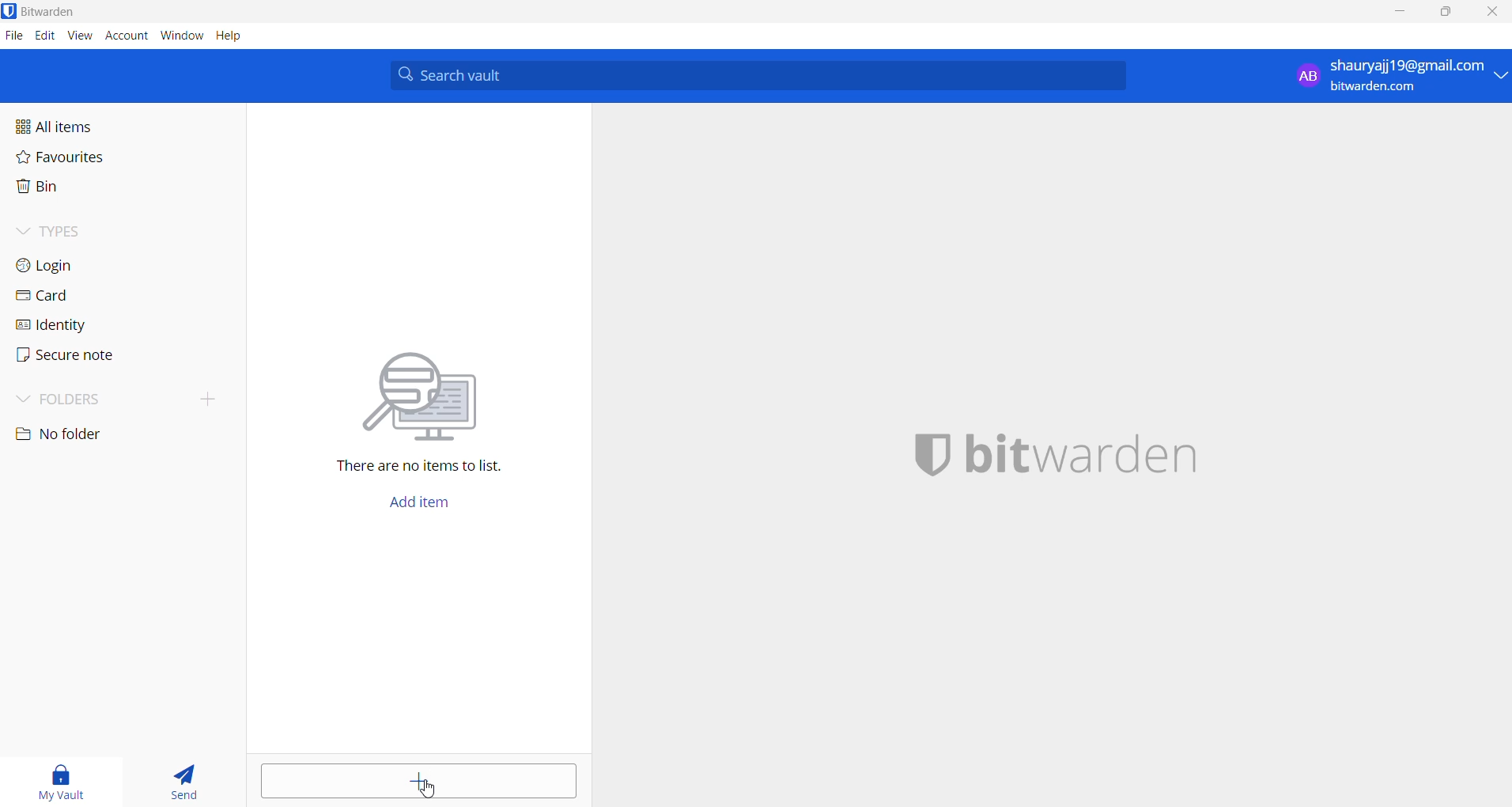  I want to click on Edit, so click(44, 36).